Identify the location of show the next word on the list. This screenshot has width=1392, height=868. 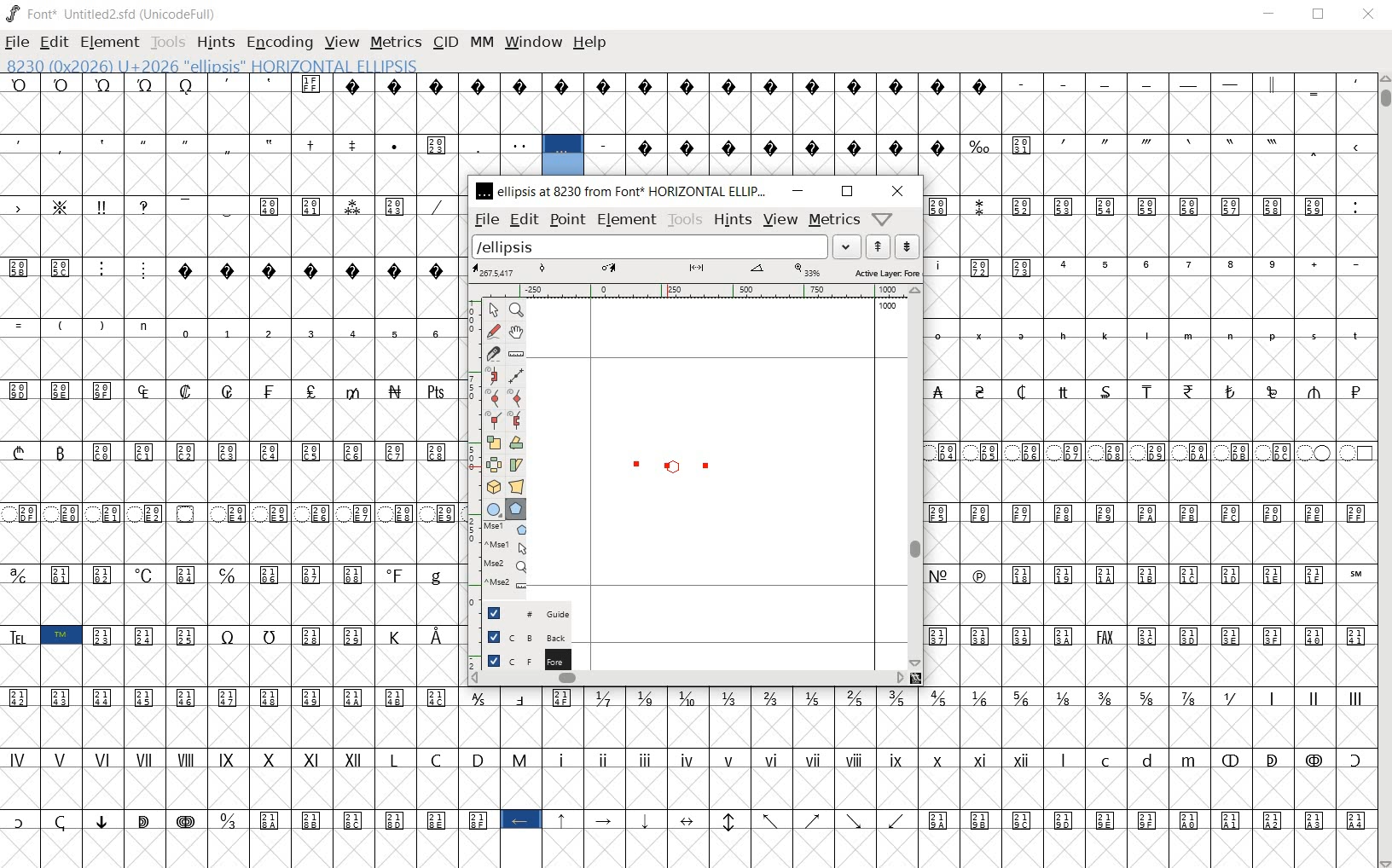
(878, 246).